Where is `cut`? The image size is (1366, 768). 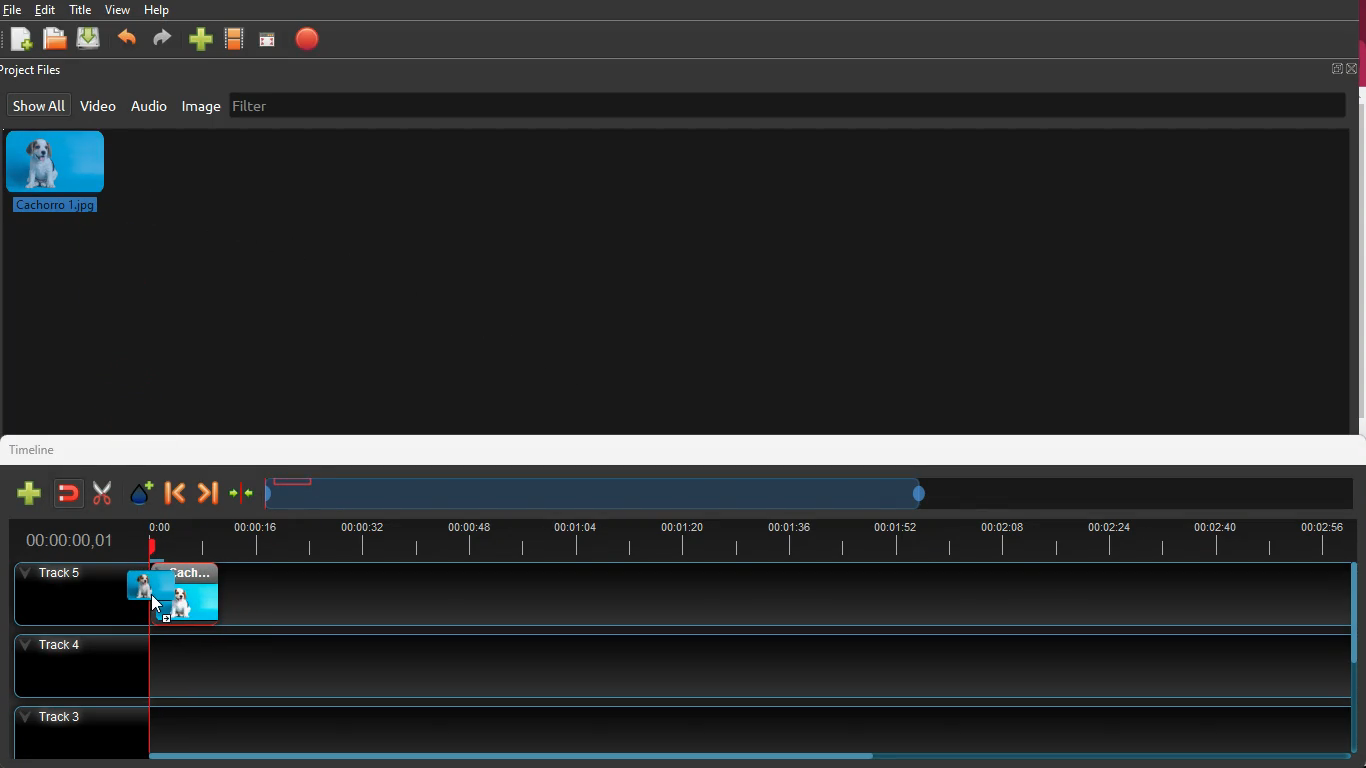
cut is located at coordinates (97, 493).